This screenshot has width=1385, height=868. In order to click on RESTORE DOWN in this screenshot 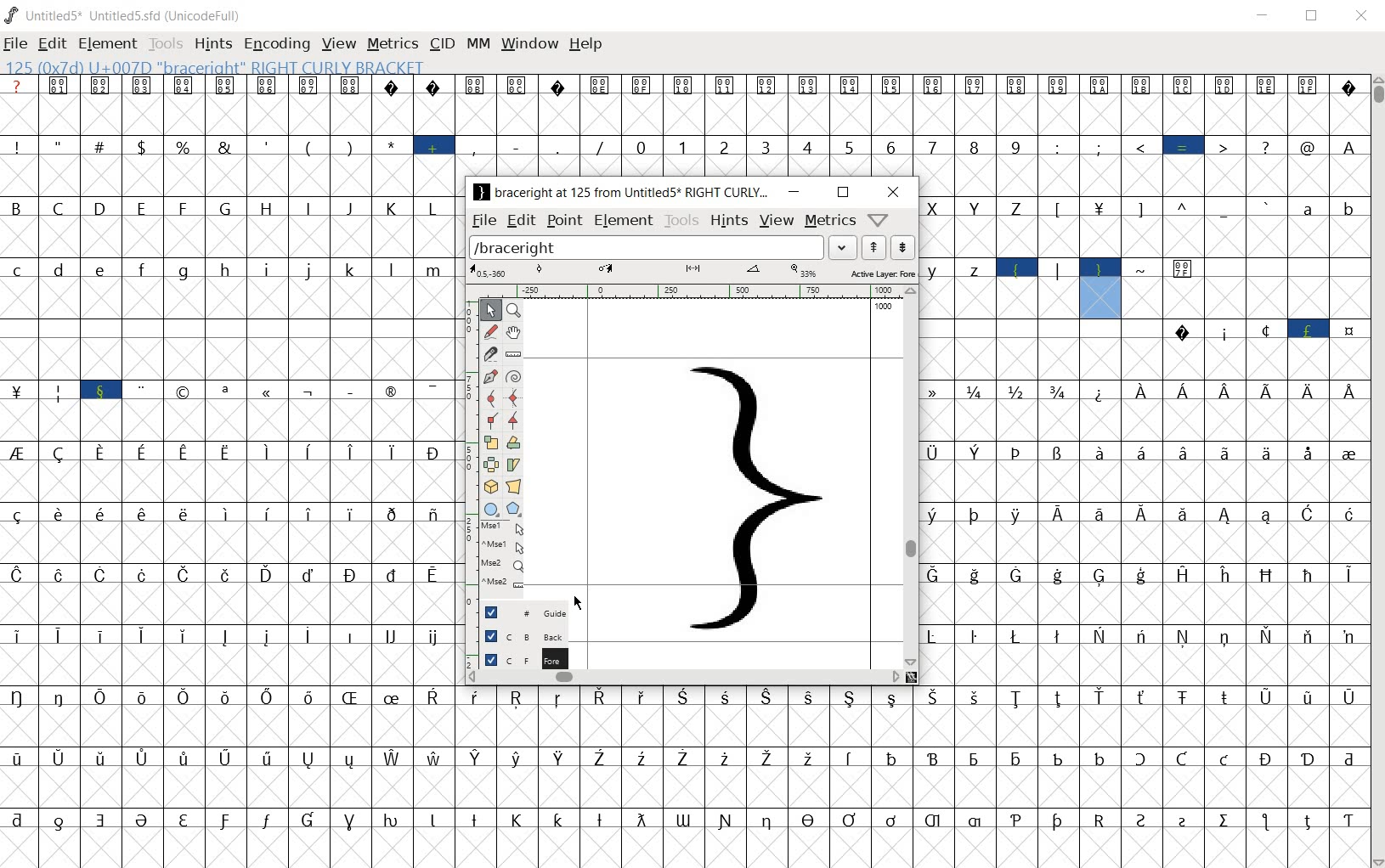, I will do `click(1315, 17)`.